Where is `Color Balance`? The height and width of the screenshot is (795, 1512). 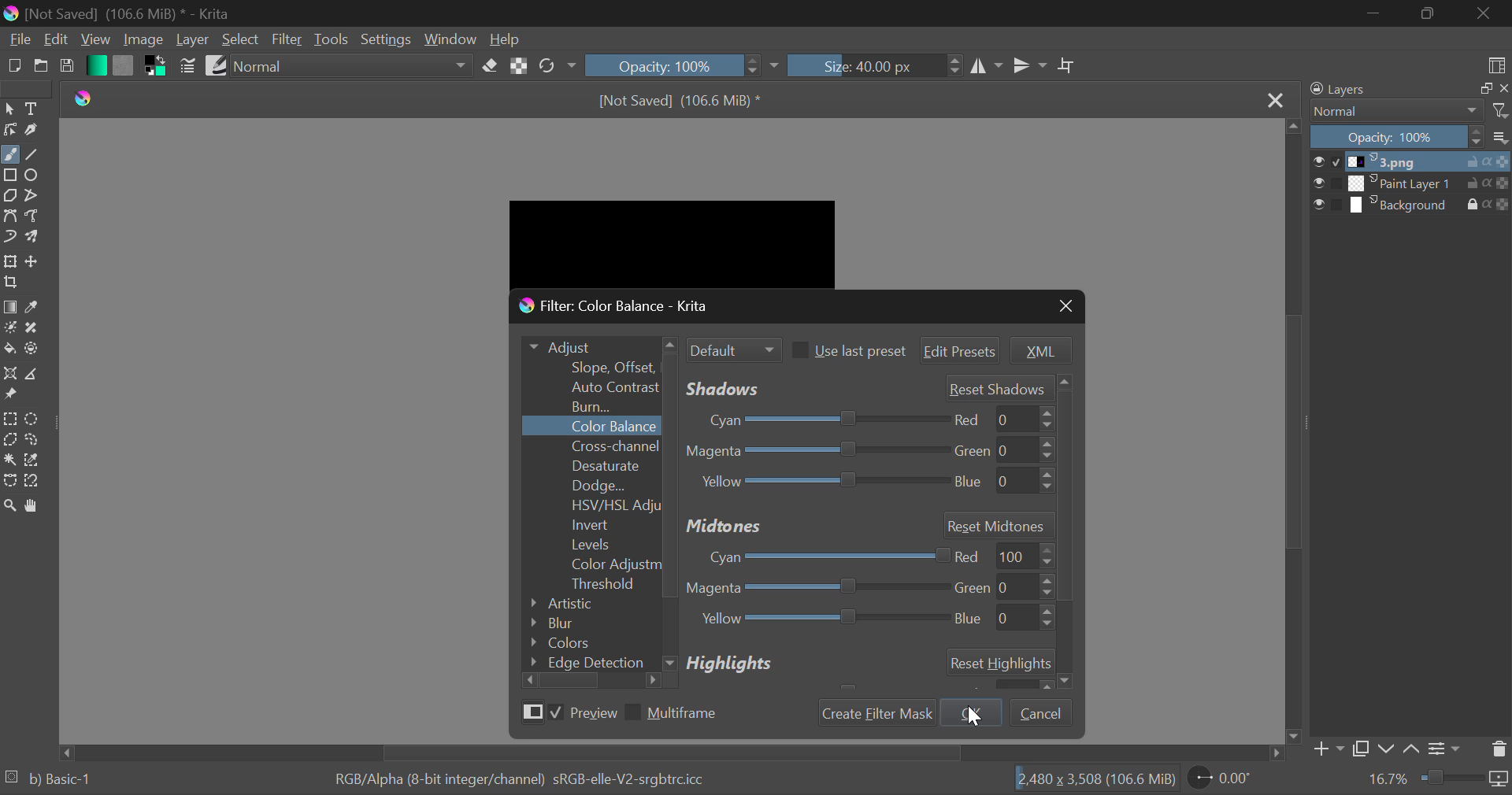 Color Balance is located at coordinates (594, 427).